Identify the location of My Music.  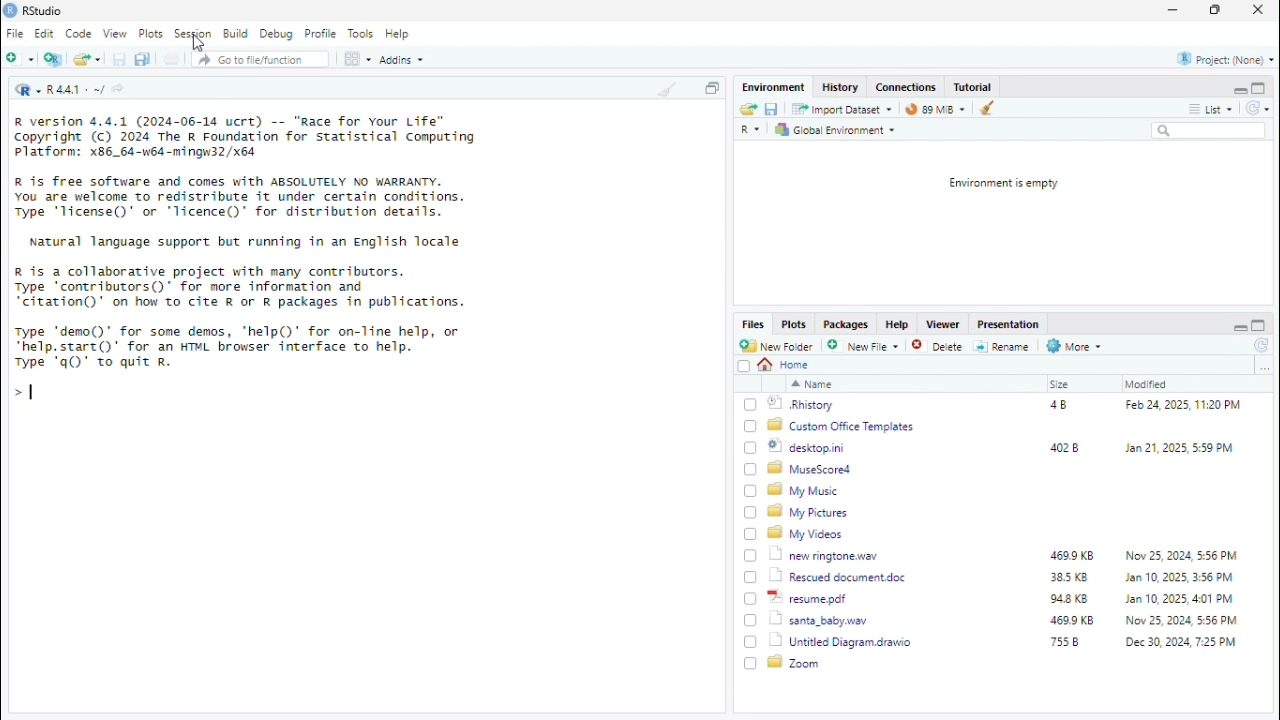
(803, 491).